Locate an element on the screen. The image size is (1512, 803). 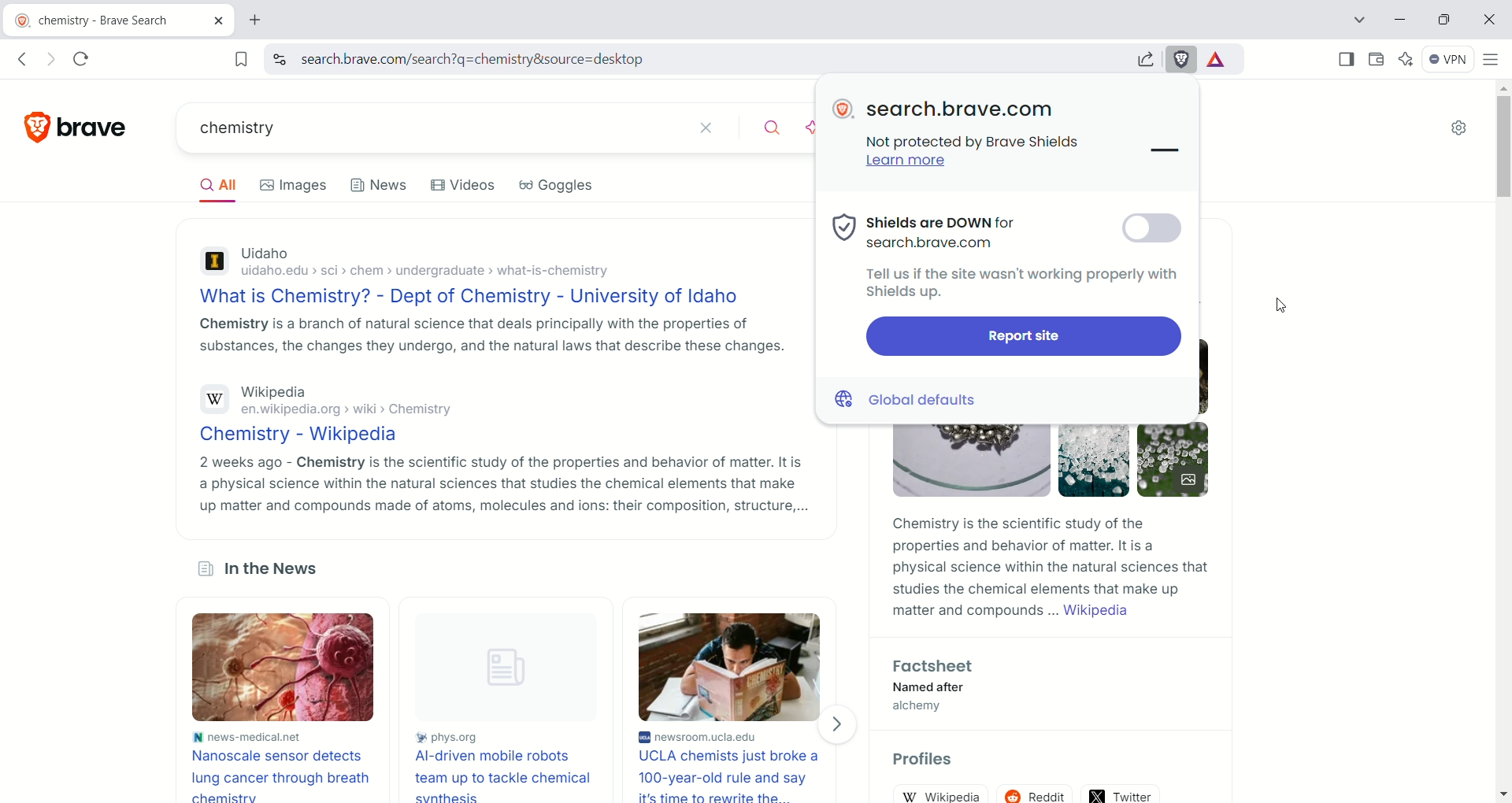
wallet is located at coordinates (1376, 61).